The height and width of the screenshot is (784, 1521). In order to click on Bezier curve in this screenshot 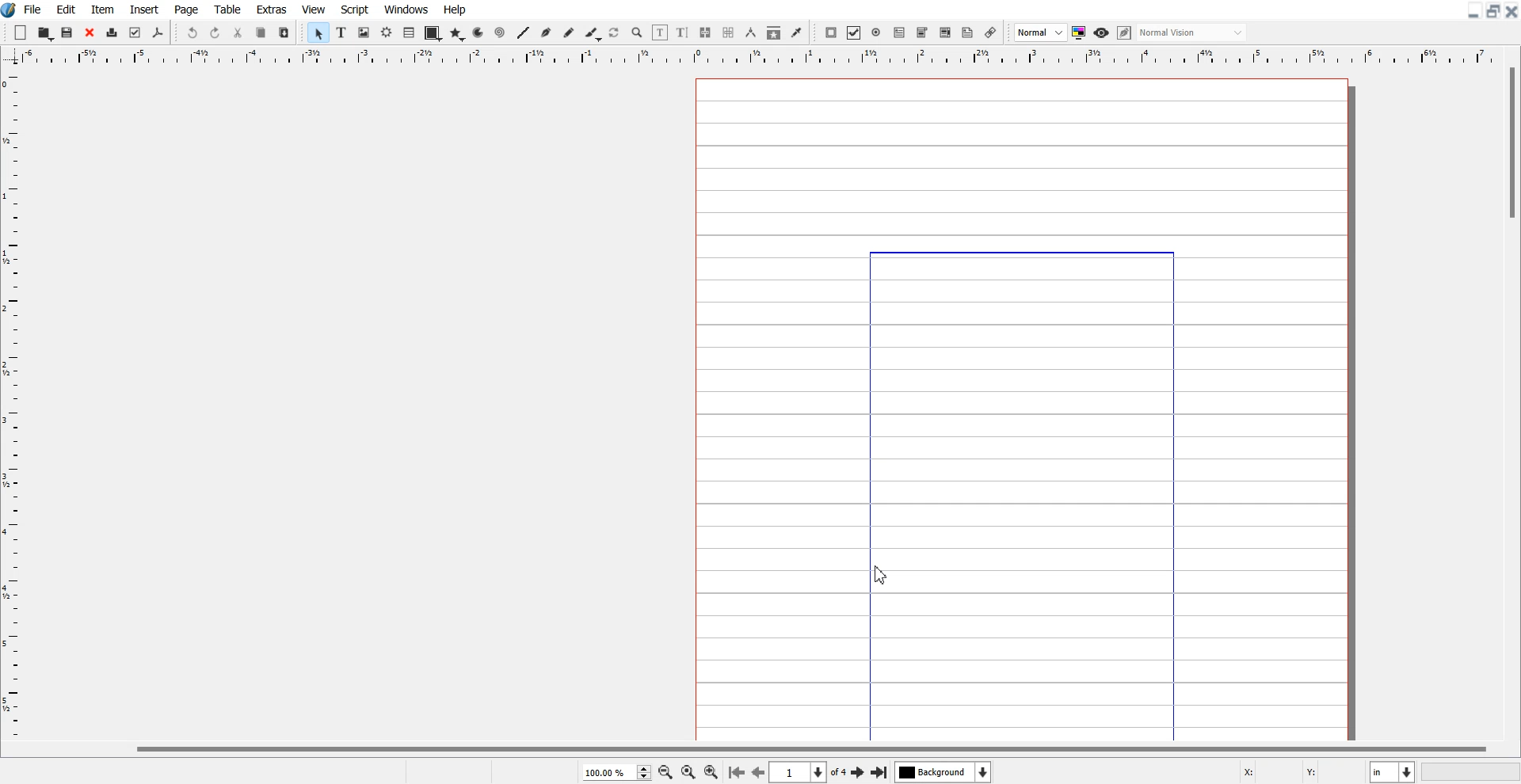, I will do `click(546, 32)`.